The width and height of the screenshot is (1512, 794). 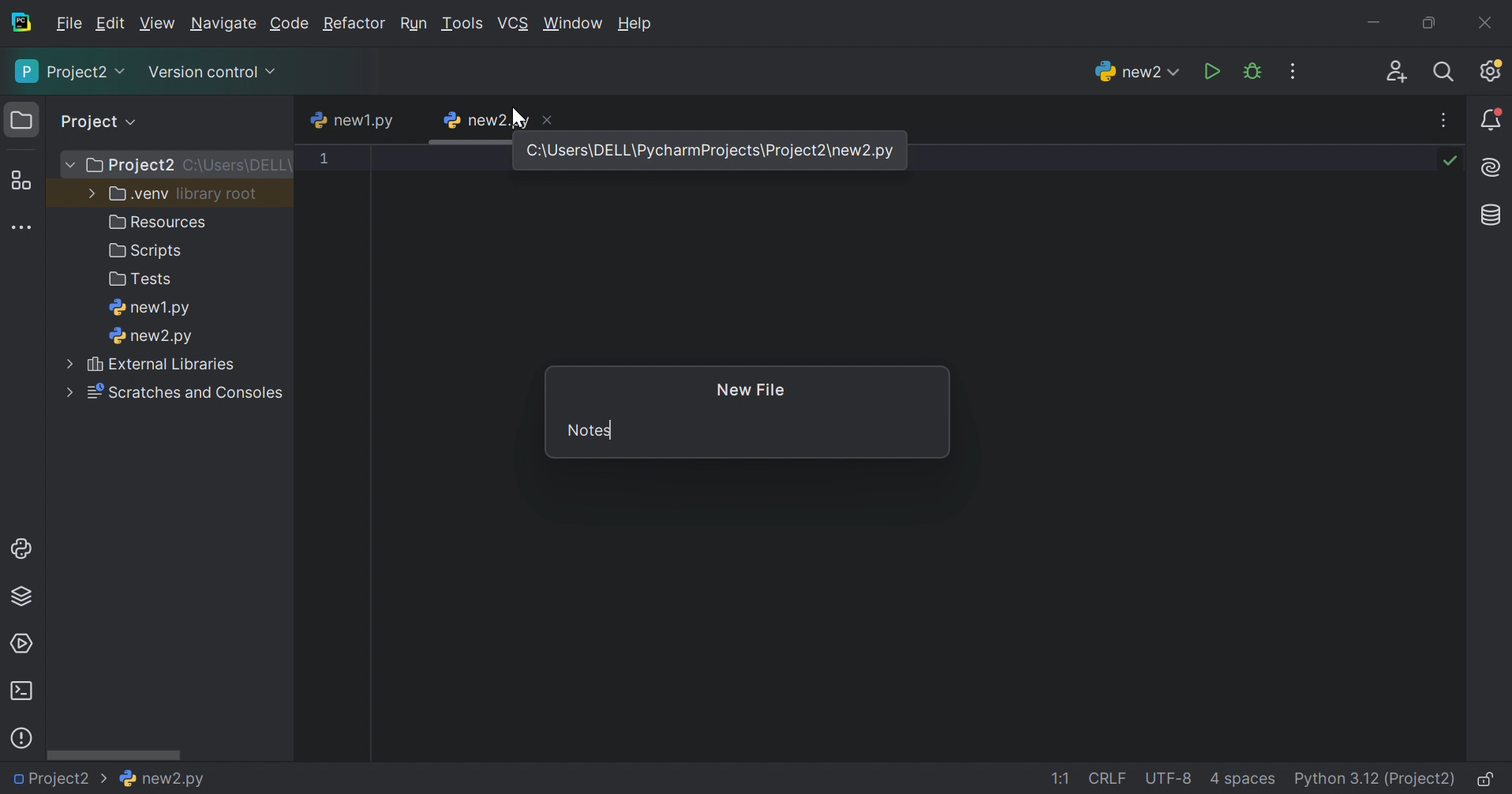 What do you see at coordinates (69, 364) in the screenshot?
I see `More` at bounding box center [69, 364].